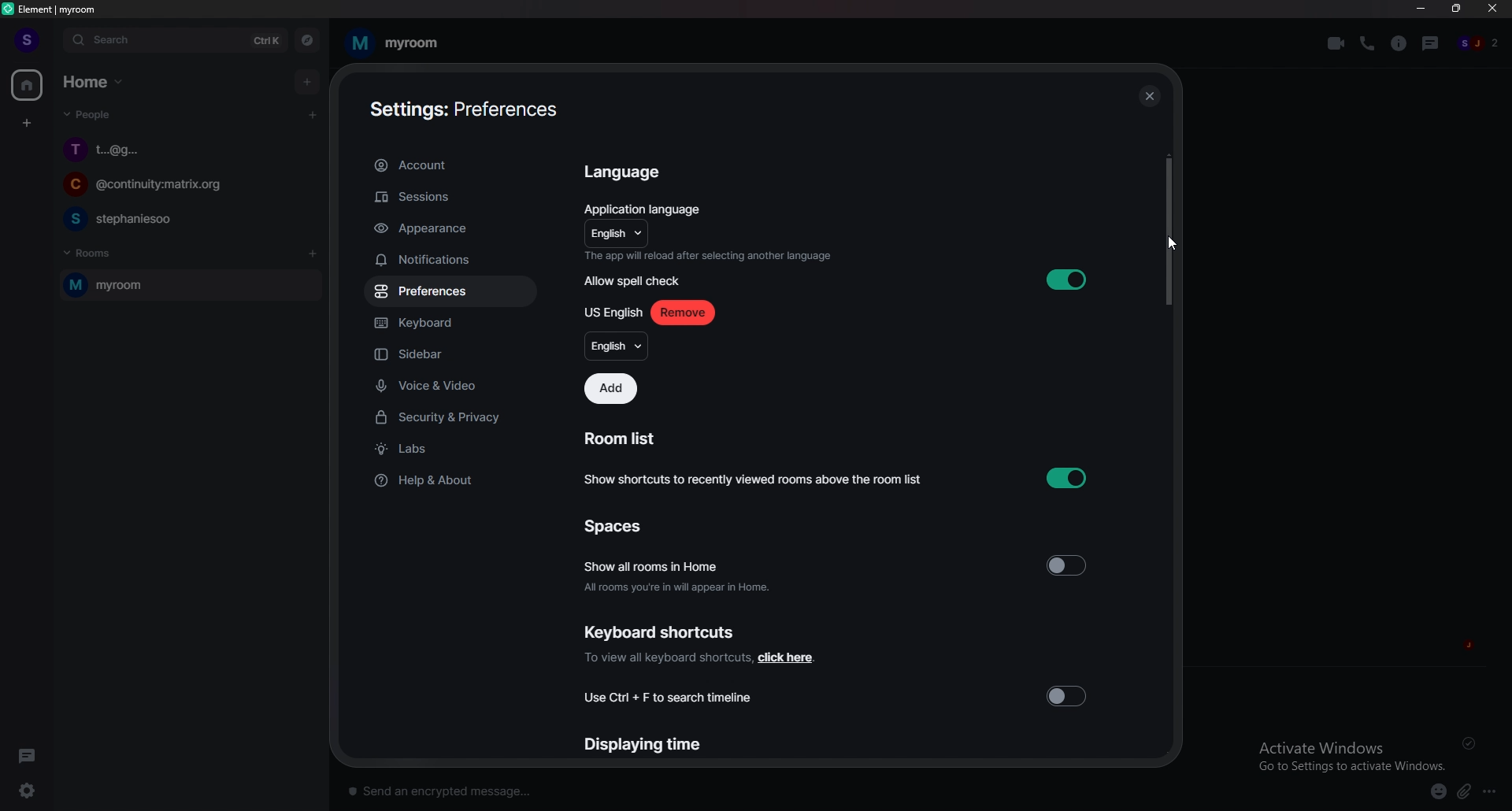 This screenshot has height=811, width=1512. I want to click on toggle, so click(1067, 566).